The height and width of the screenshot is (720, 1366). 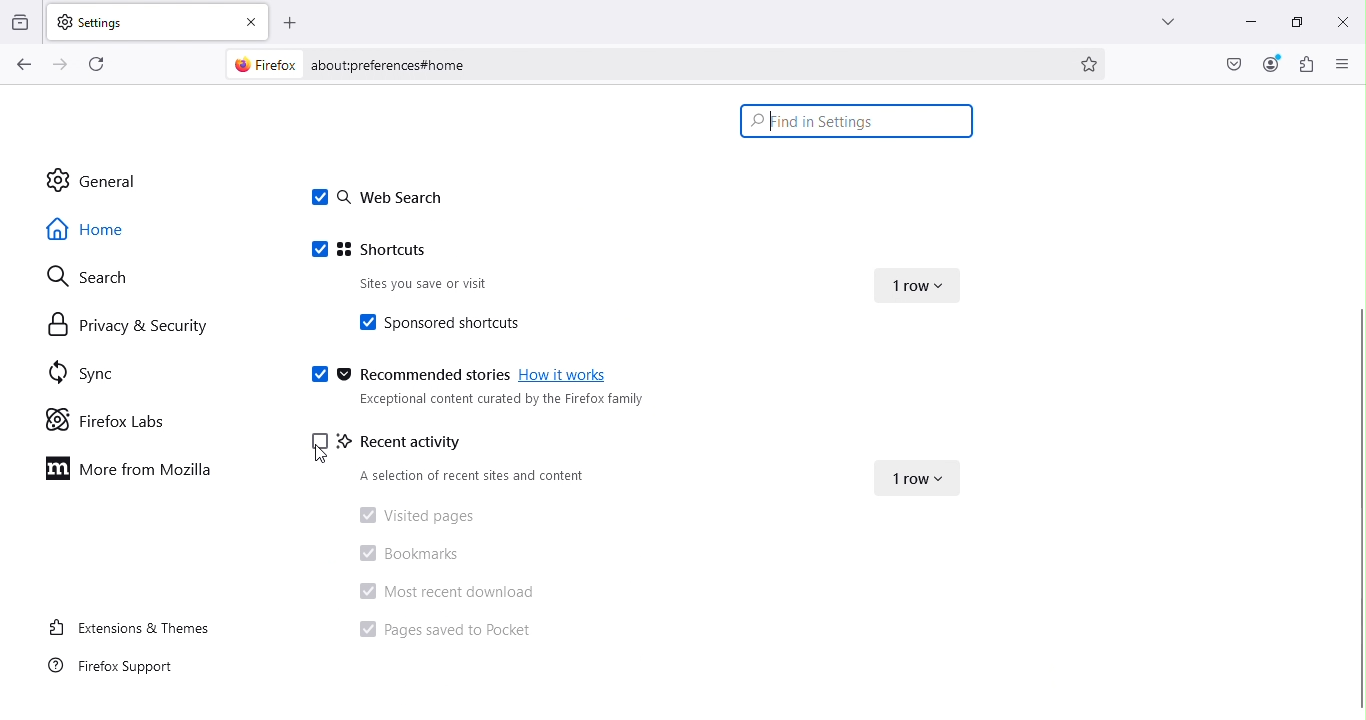 What do you see at coordinates (292, 21) in the screenshot?
I see `Open a new tab` at bounding box center [292, 21].